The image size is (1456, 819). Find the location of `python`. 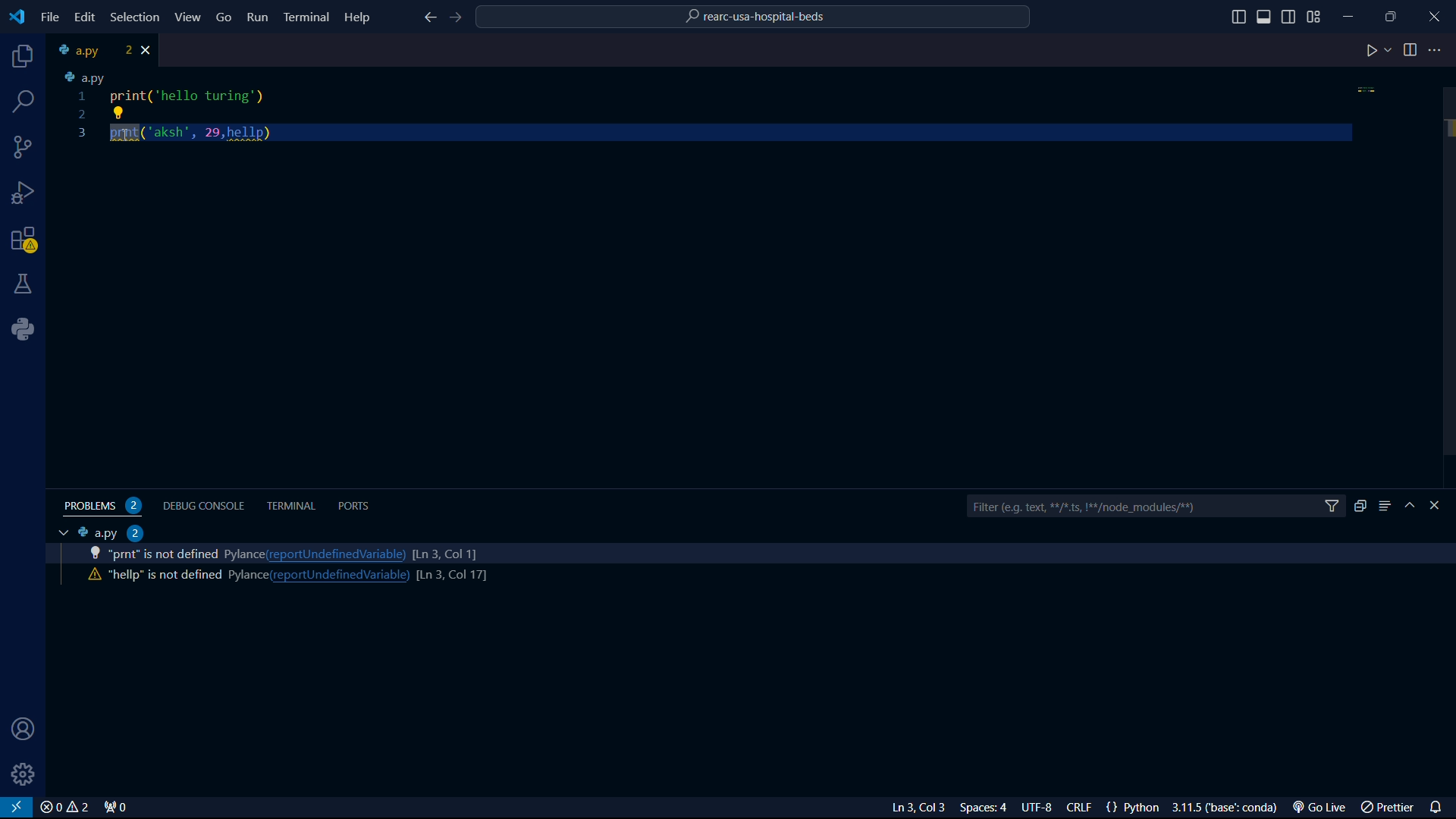

python is located at coordinates (28, 329).